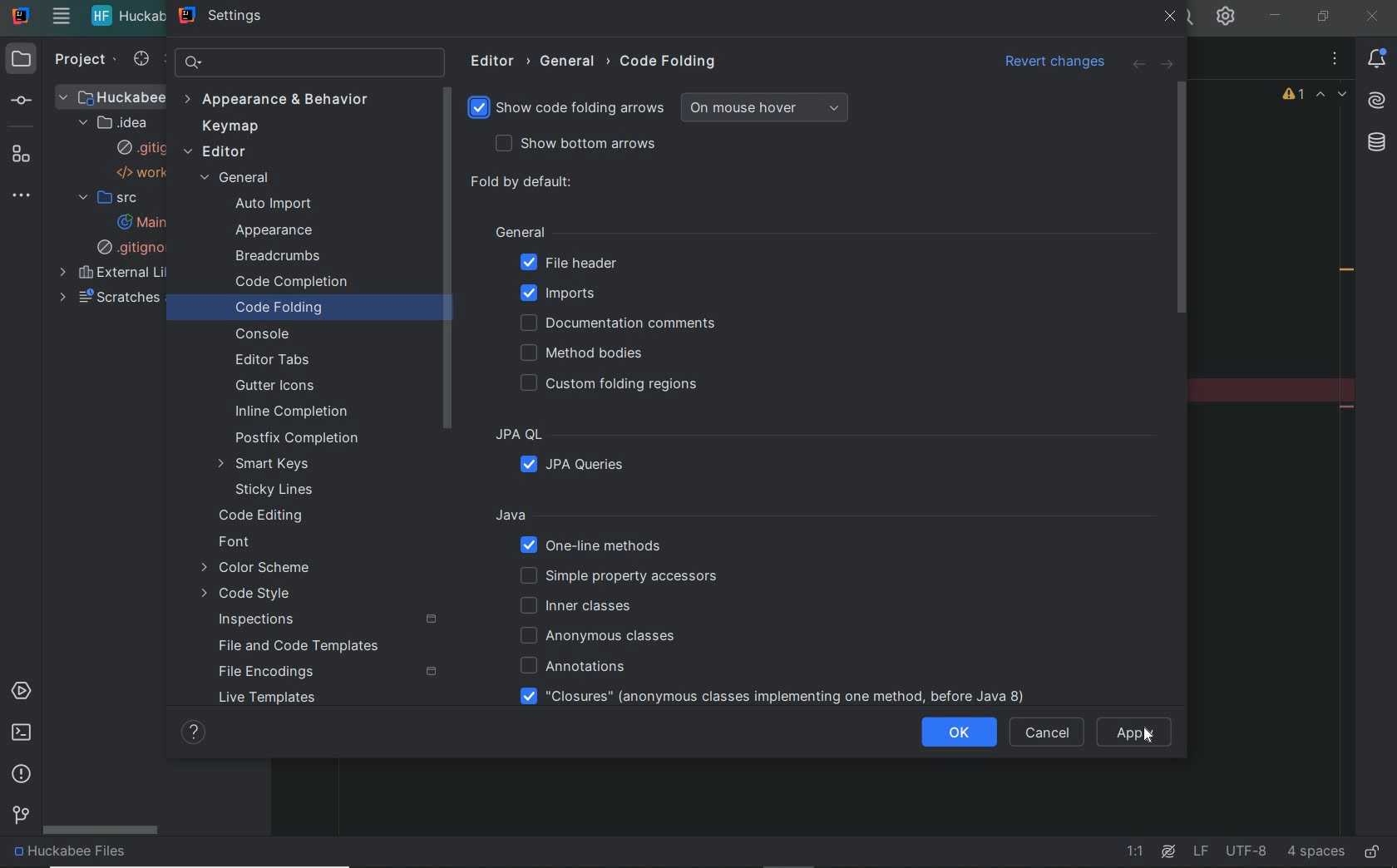  What do you see at coordinates (1049, 732) in the screenshot?
I see `CANCEL` at bounding box center [1049, 732].